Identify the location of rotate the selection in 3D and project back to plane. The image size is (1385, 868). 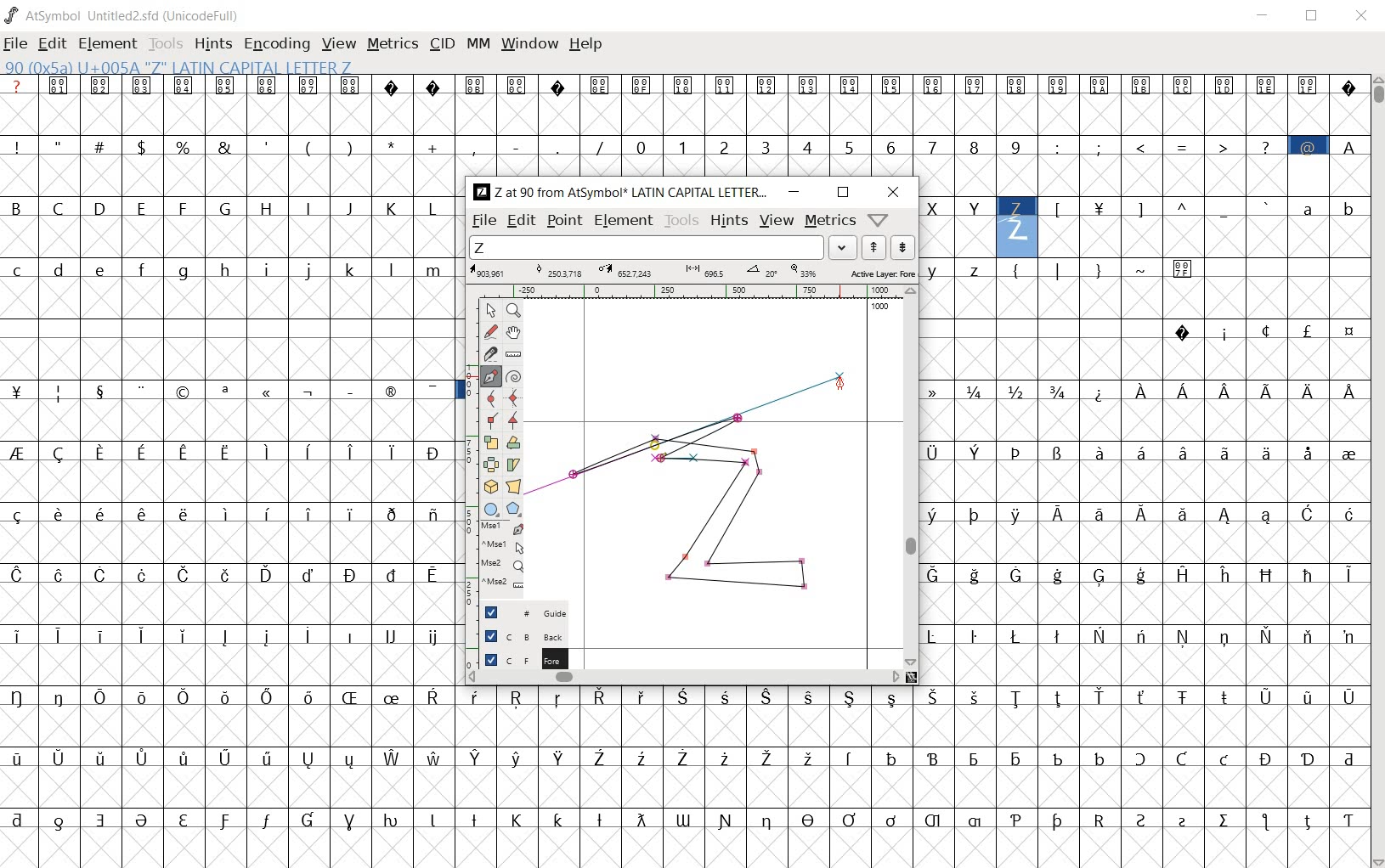
(490, 486).